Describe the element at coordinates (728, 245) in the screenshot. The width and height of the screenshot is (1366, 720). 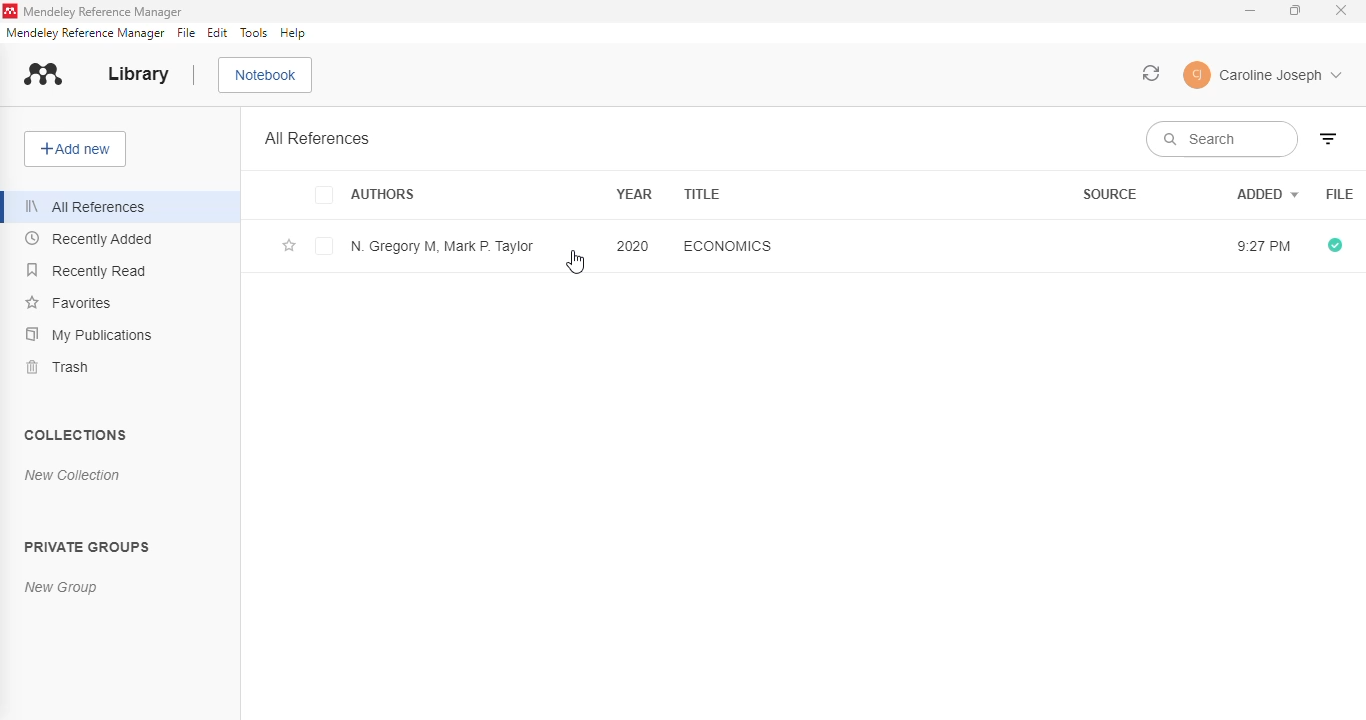
I see `economics` at that location.